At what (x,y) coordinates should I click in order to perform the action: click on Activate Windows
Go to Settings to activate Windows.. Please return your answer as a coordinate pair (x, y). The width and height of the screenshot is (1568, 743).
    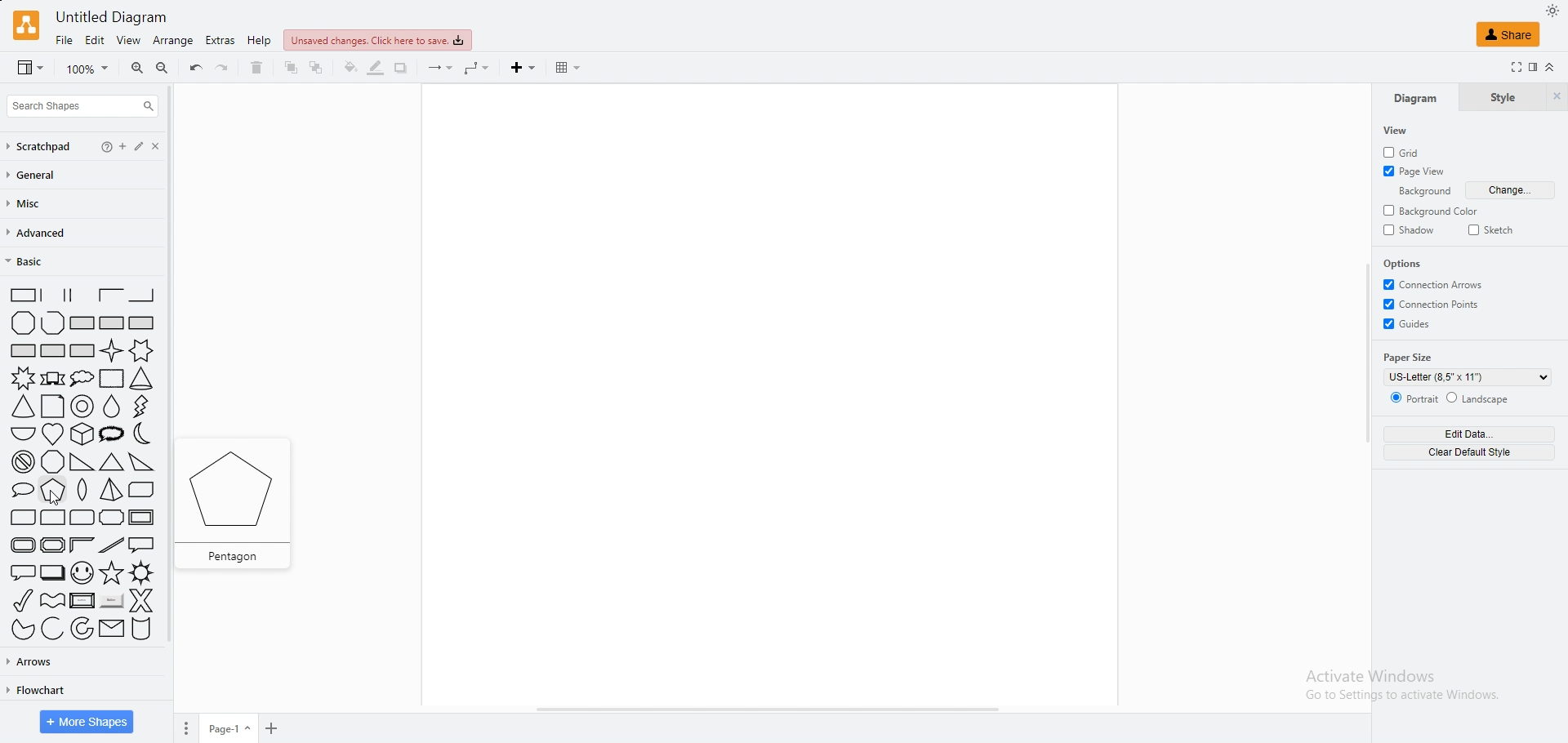
    Looking at the image, I should click on (1392, 685).